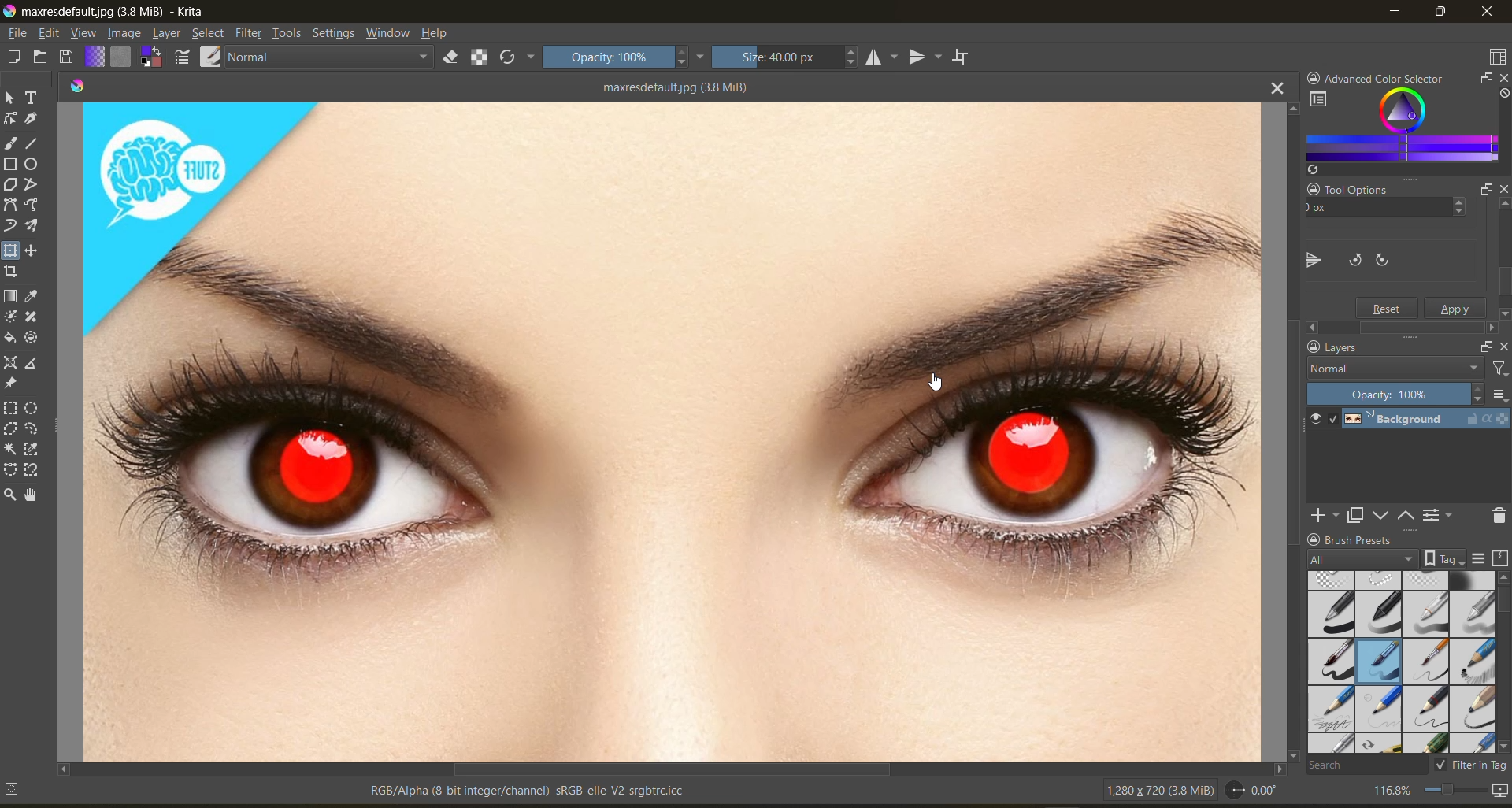  I want to click on tool, so click(32, 206).